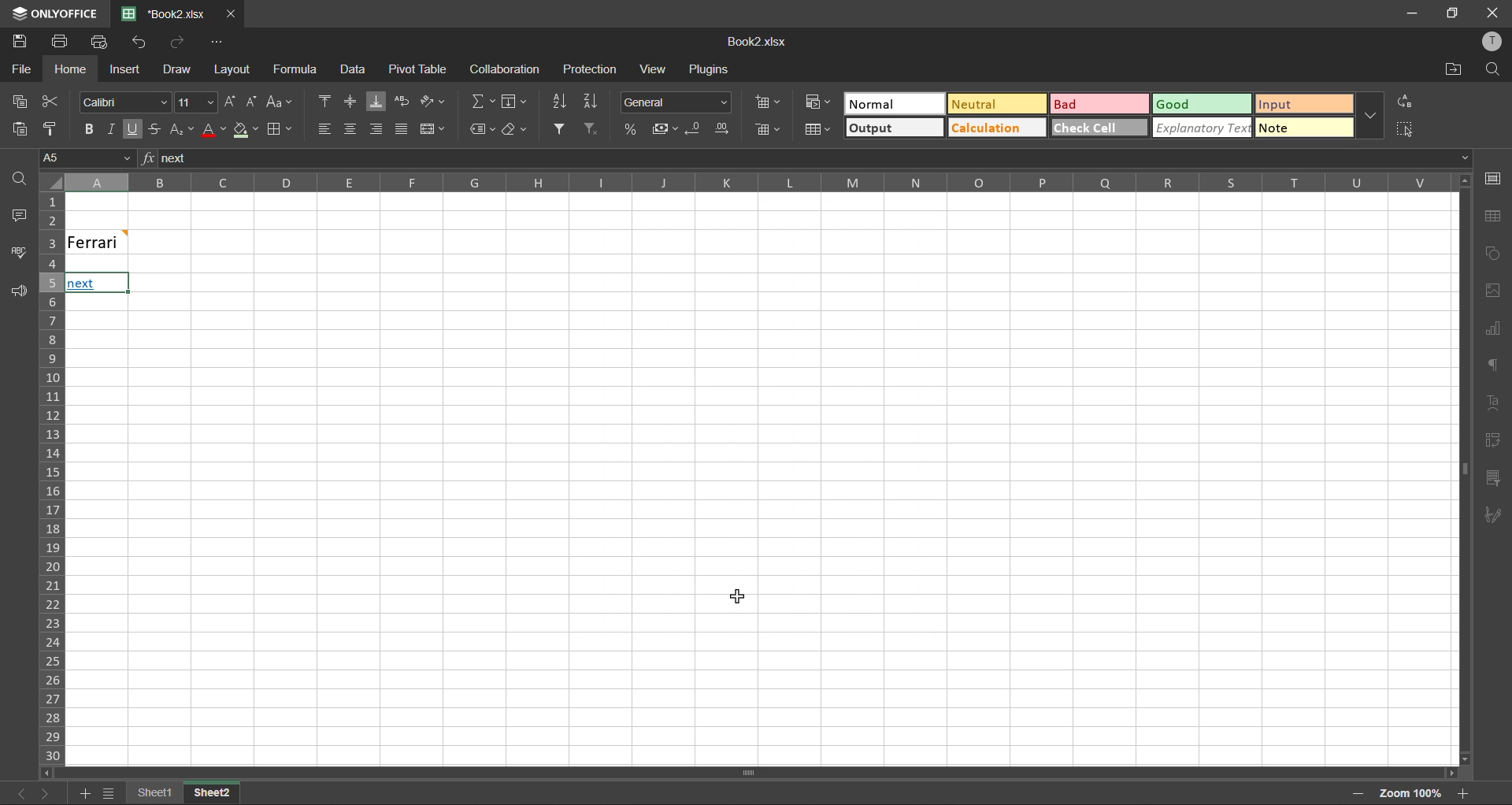 This screenshot has width=1512, height=805. What do you see at coordinates (229, 69) in the screenshot?
I see `layout` at bounding box center [229, 69].